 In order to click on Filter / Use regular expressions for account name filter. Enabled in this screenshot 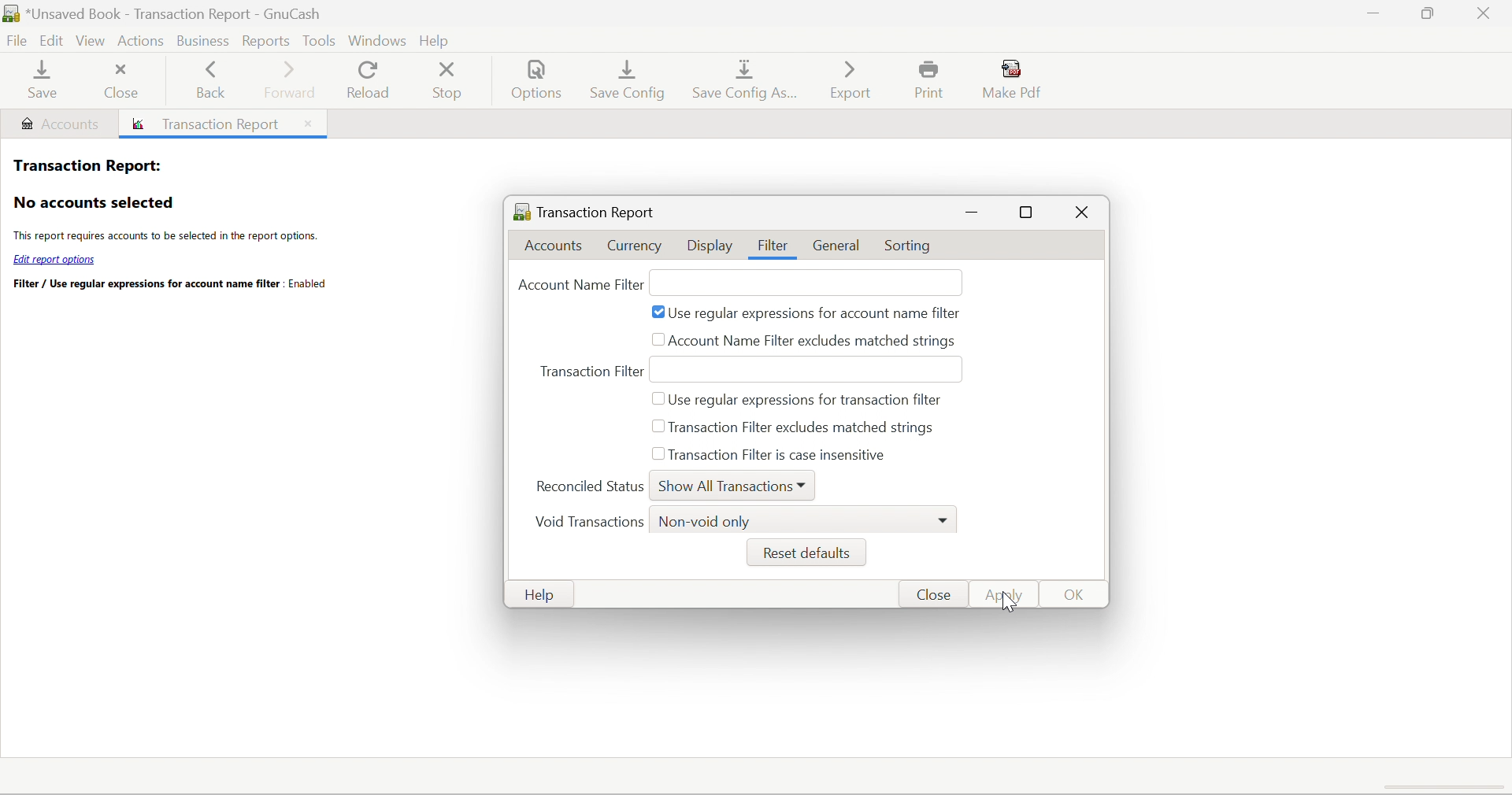, I will do `click(171, 284)`.